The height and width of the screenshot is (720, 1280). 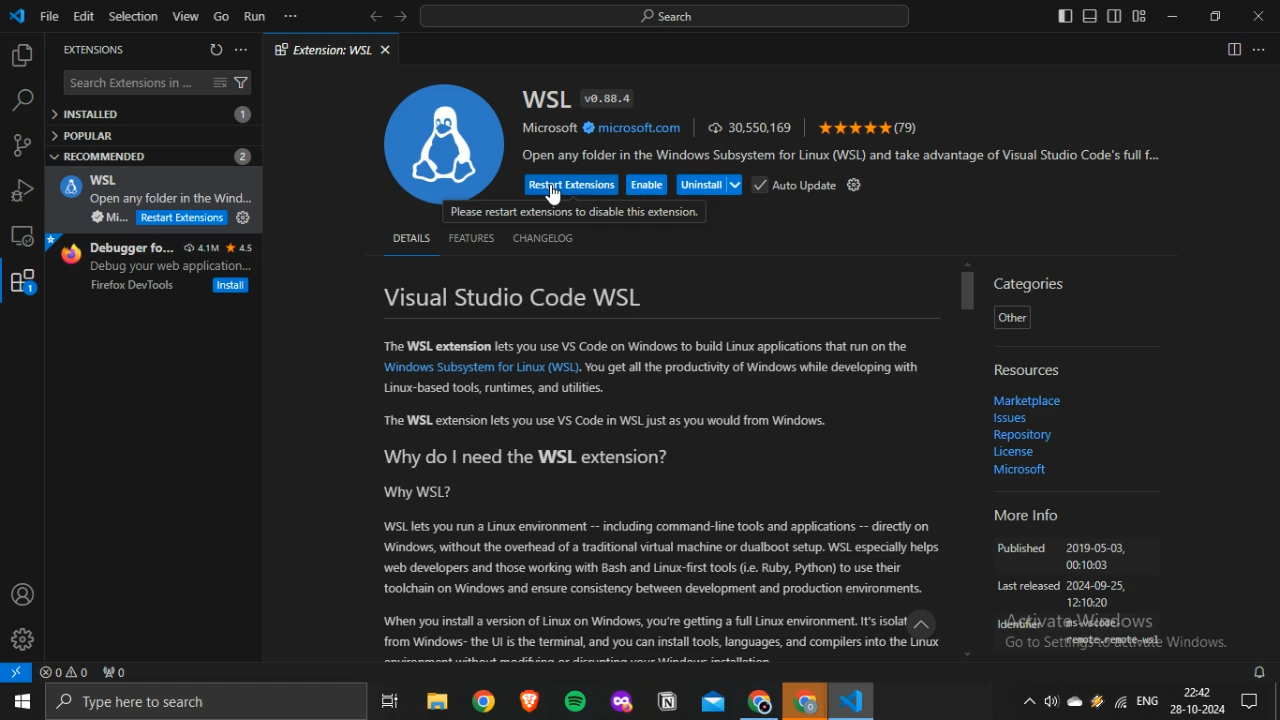 What do you see at coordinates (172, 266) in the screenshot?
I see `Debug your web application...` at bounding box center [172, 266].